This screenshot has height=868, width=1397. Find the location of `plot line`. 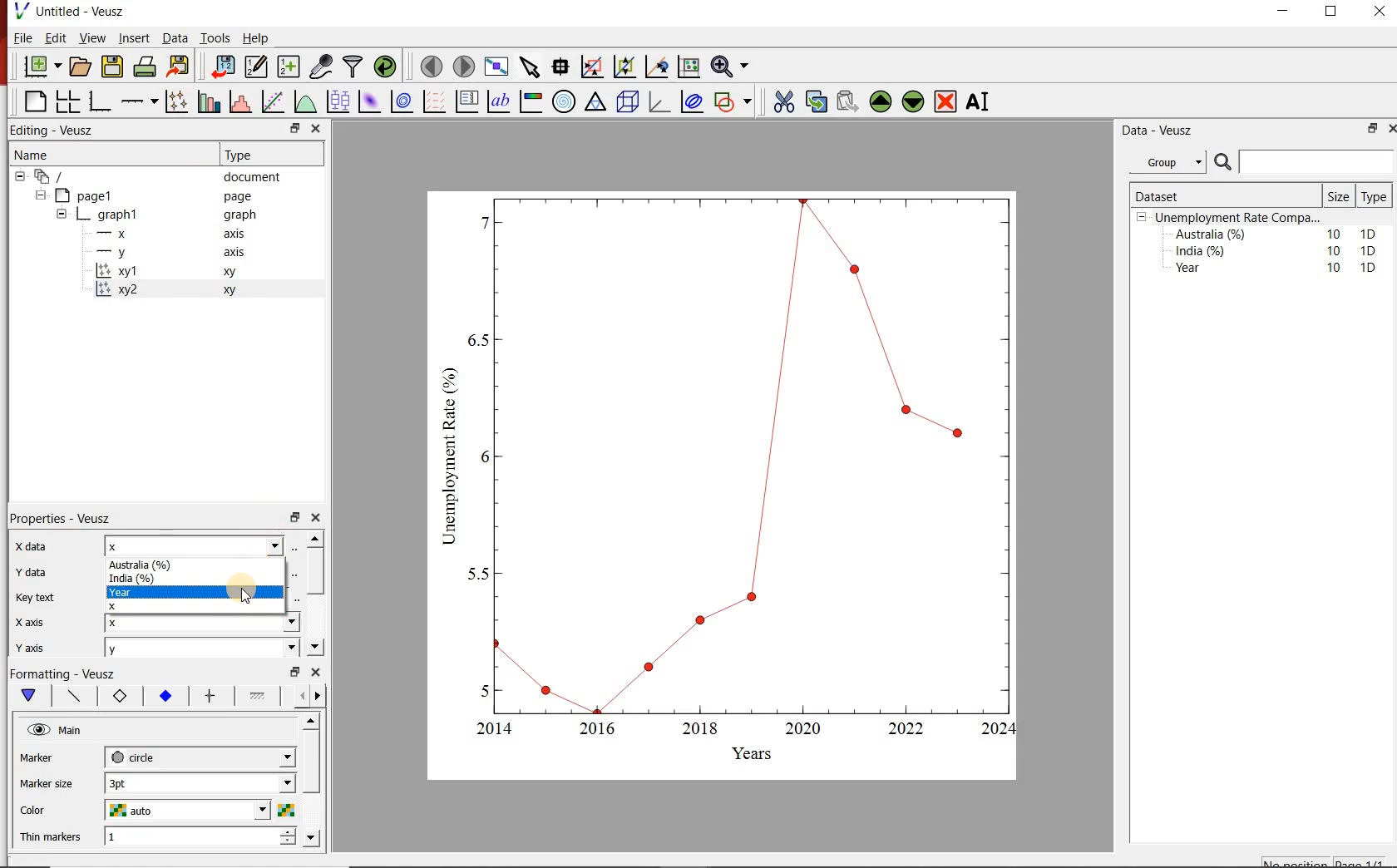

plot line is located at coordinates (76, 697).